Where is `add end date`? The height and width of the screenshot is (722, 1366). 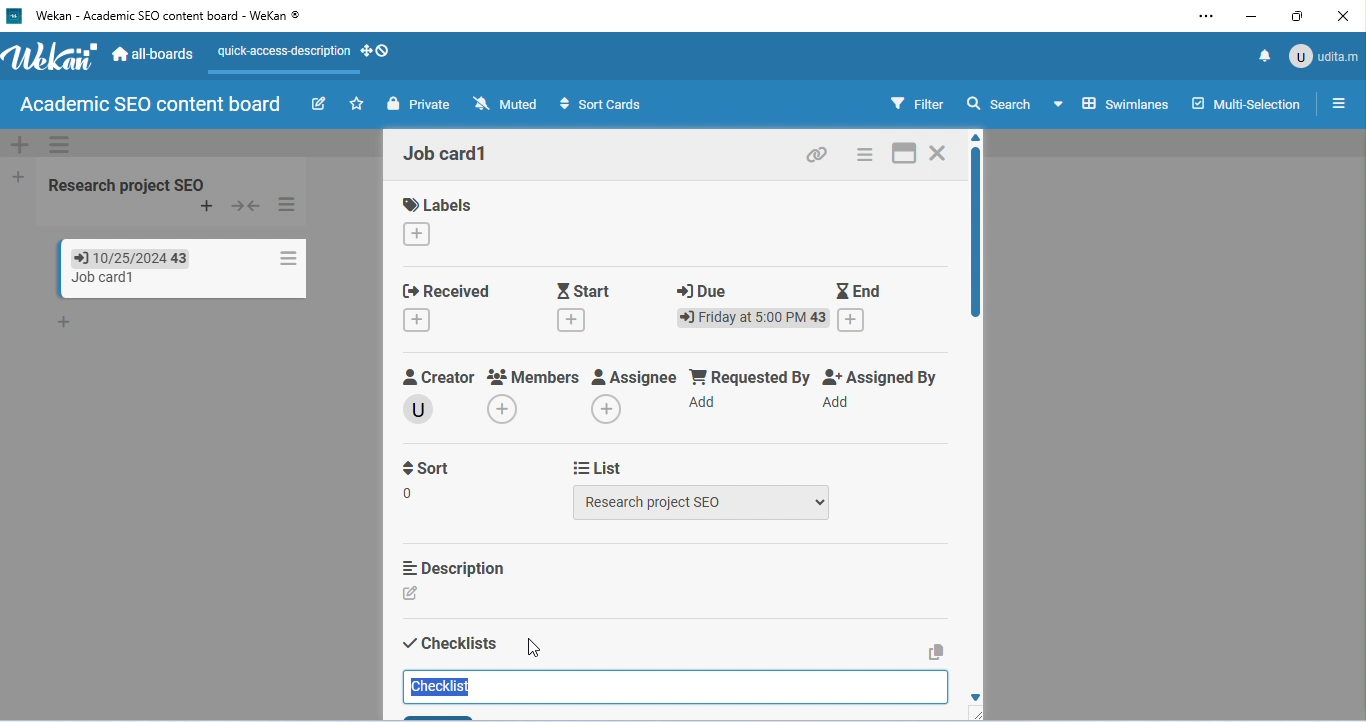
add end date is located at coordinates (853, 320).